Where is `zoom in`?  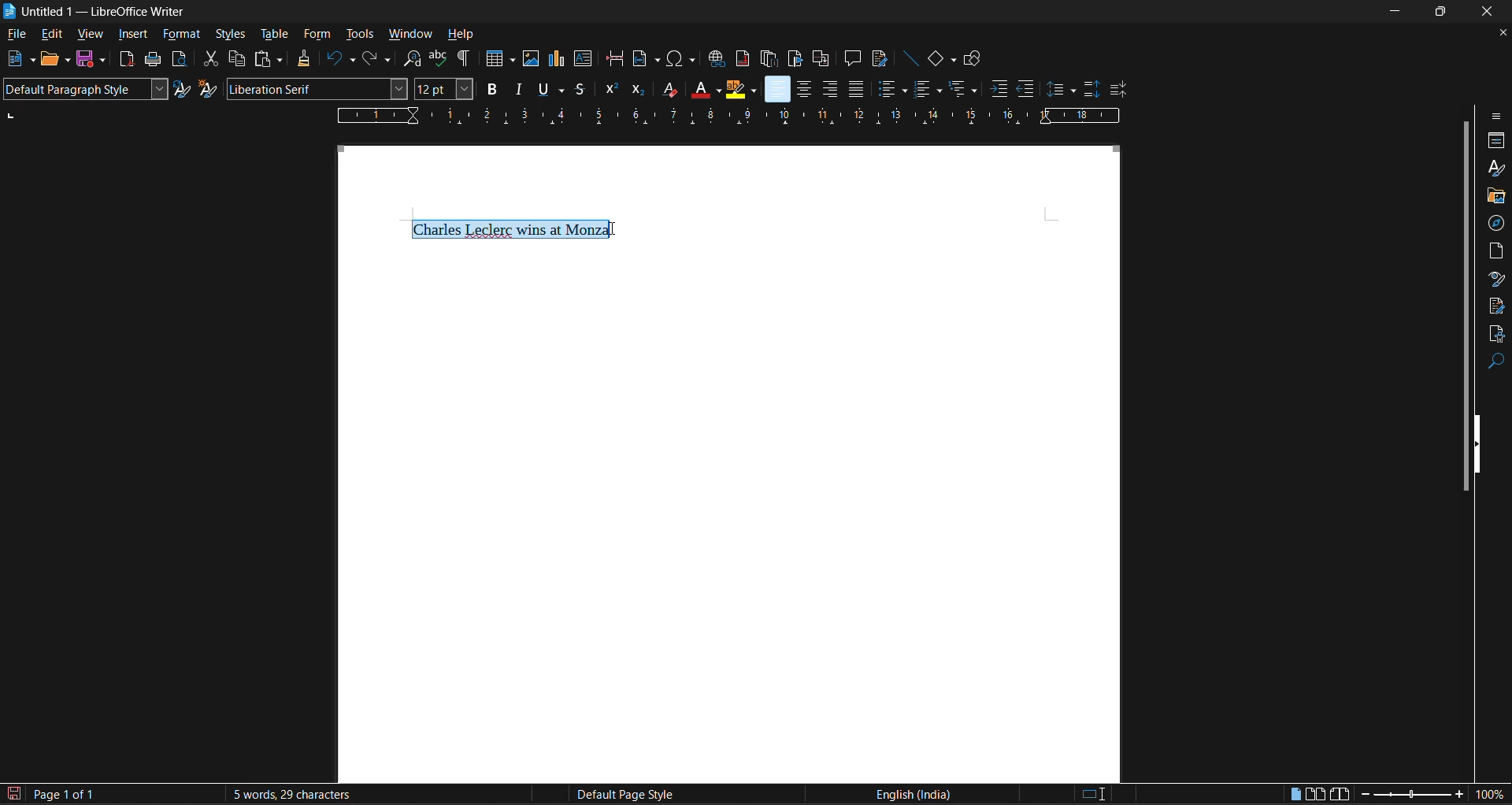
zoom in is located at coordinates (1460, 795).